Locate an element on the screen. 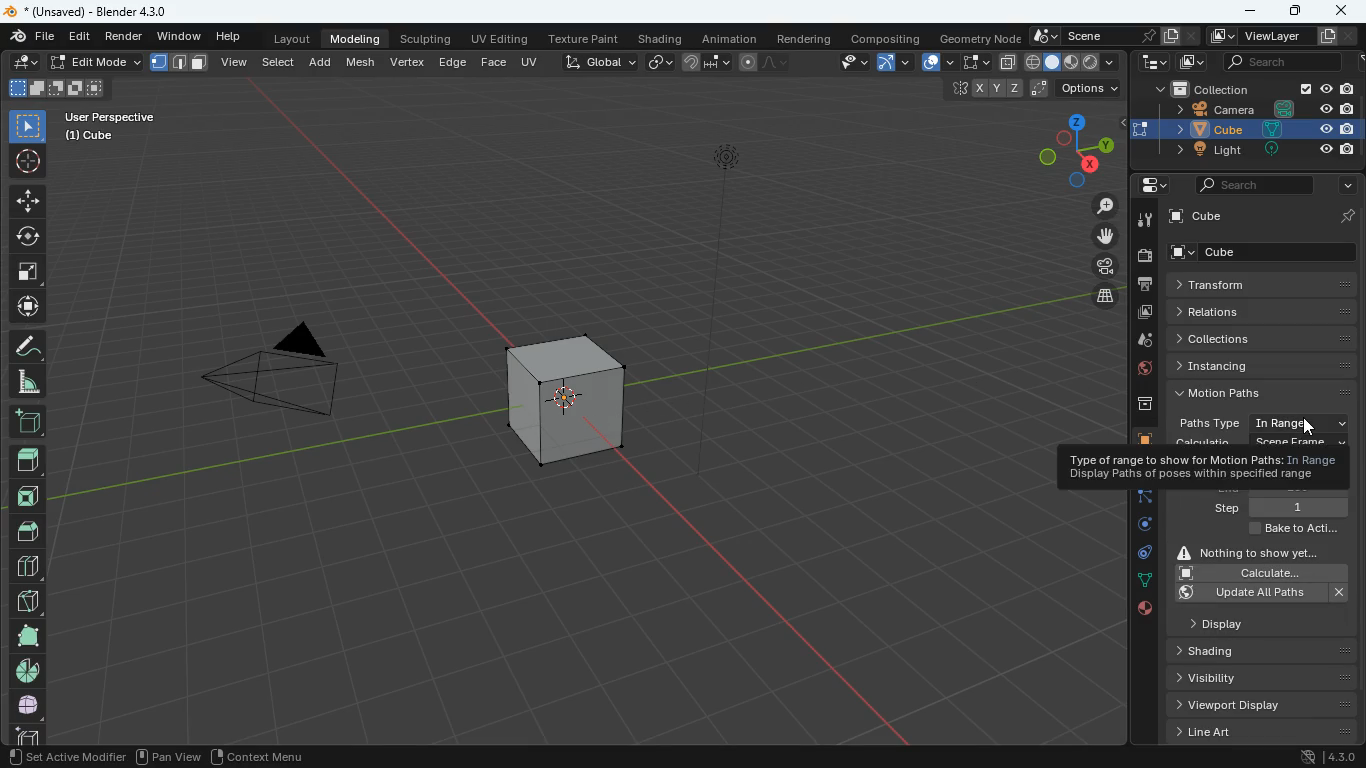 The width and height of the screenshot is (1366, 768). layout is located at coordinates (288, 40).